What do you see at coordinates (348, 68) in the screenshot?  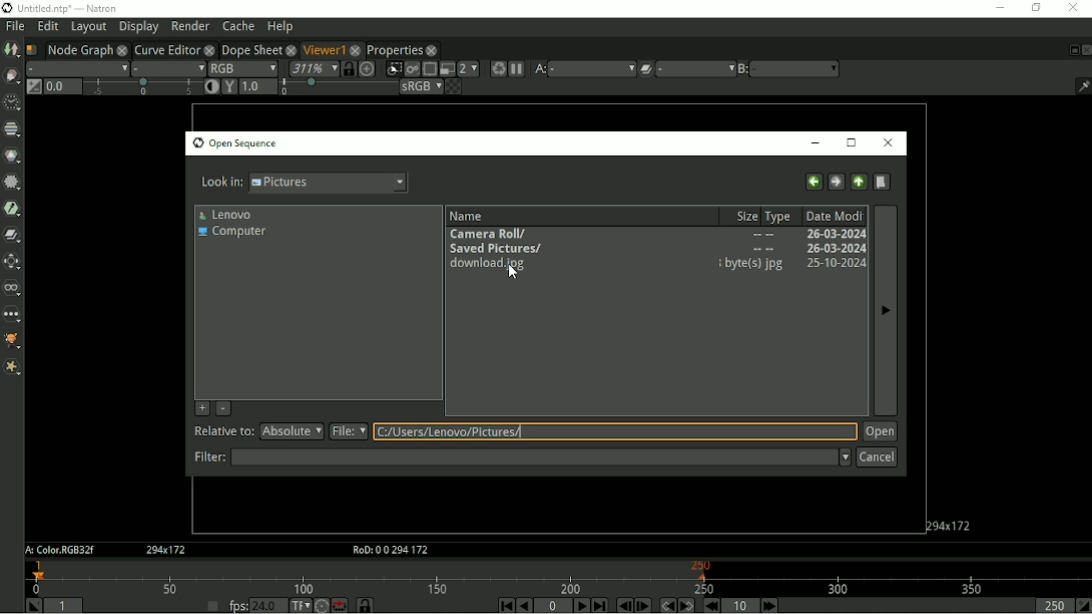 I see `Synchronize ` at bounding box center [348, 68].